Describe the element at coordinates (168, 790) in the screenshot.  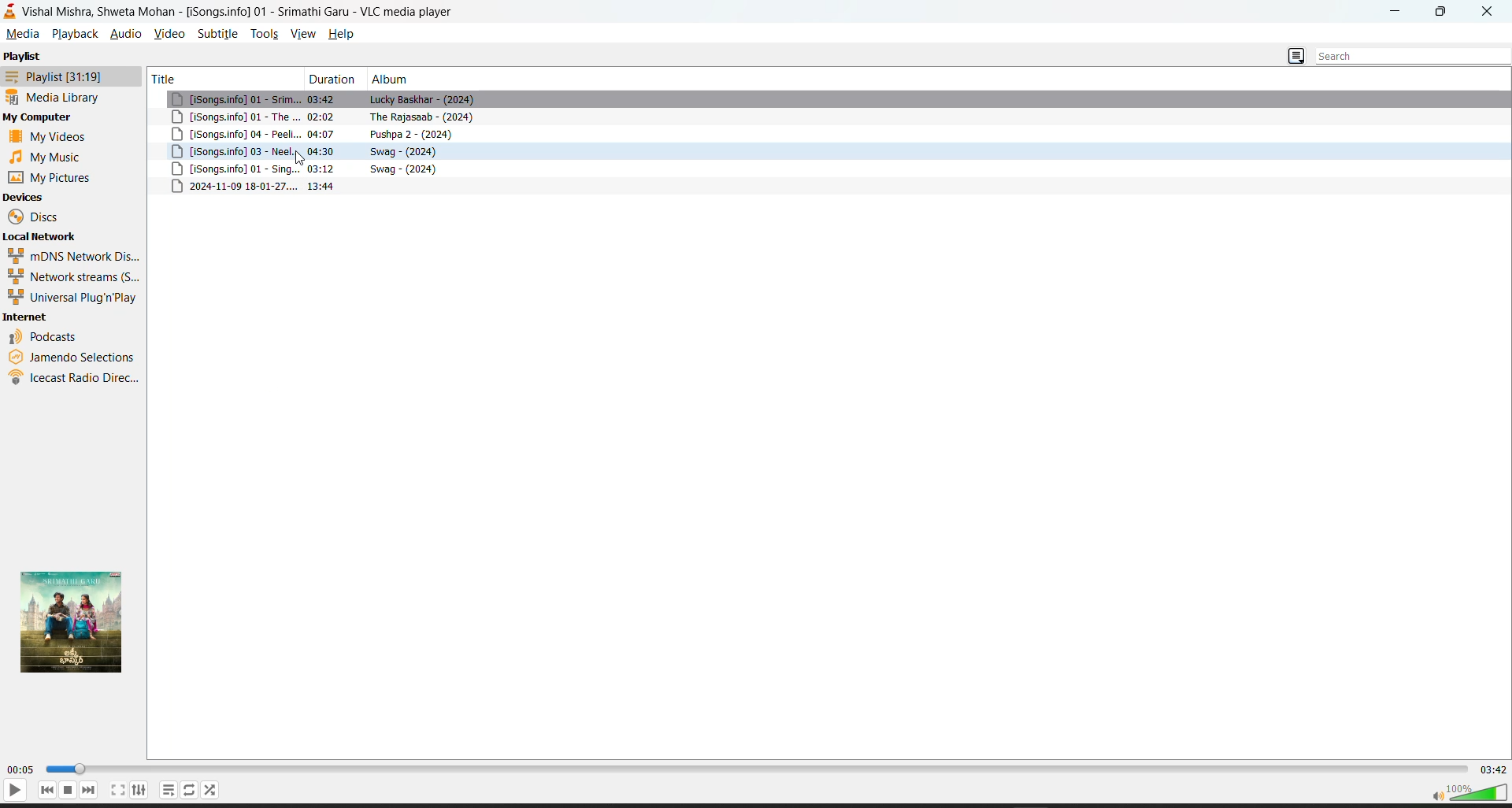
I see `loop` at that location.